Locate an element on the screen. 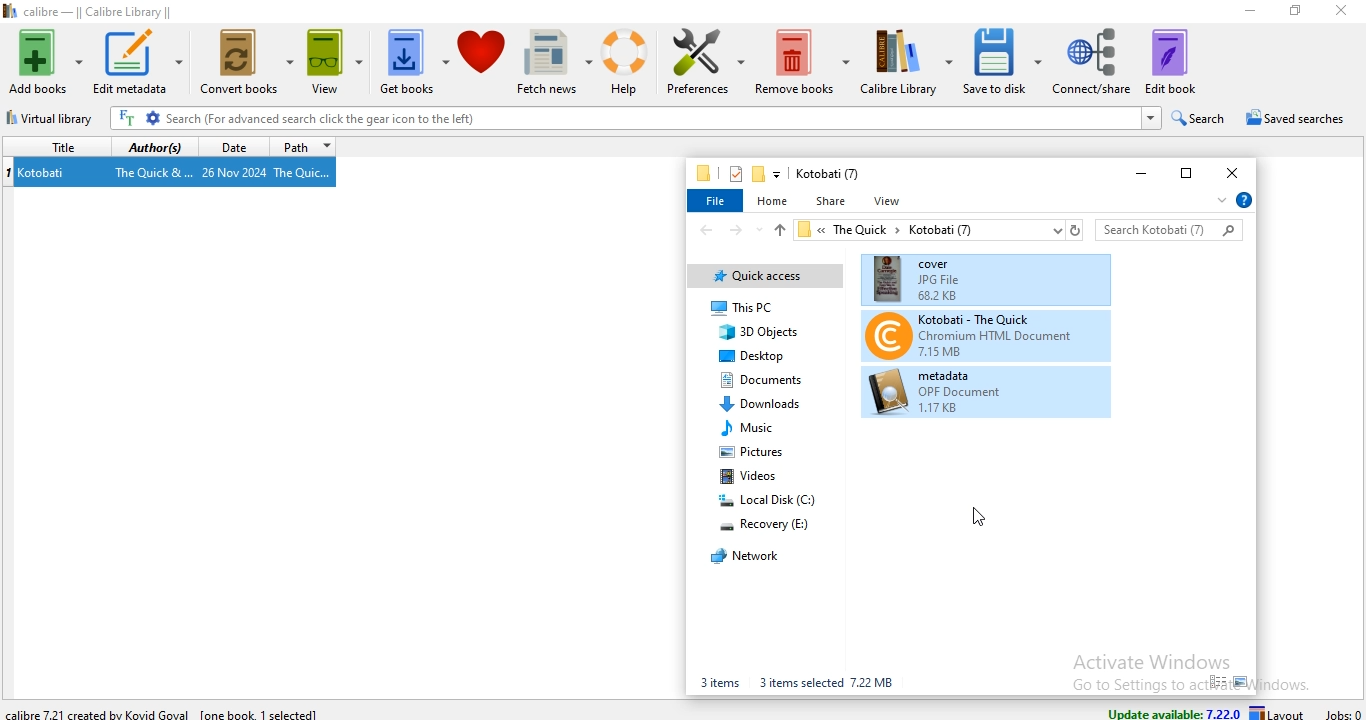 The height and width of the screenshot is (720, 1366). This PC is located at coordinates (768, 308).